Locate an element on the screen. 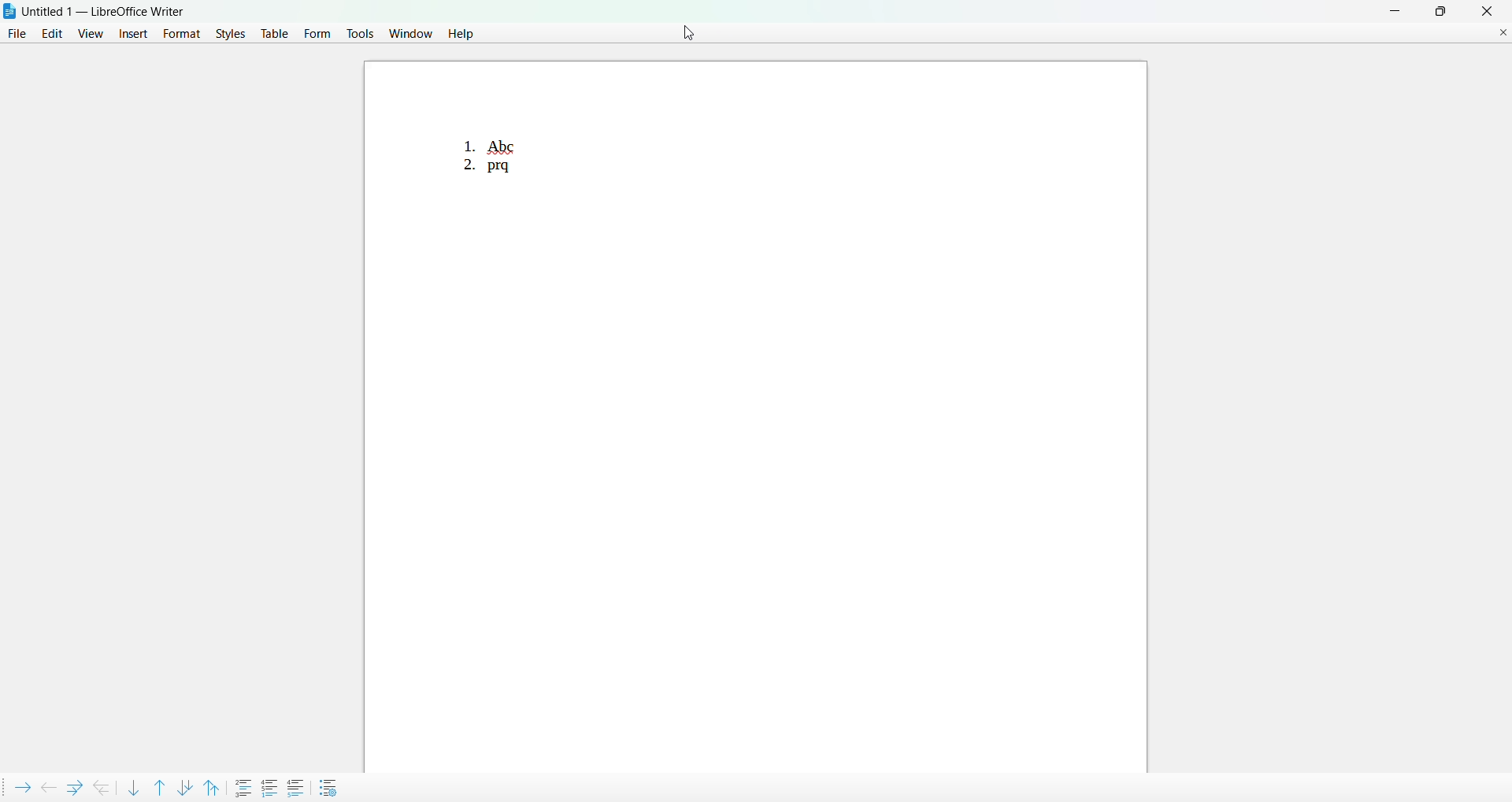 Image resolution: width=1512 pixels, height=802 pixels. cursor is located at coordinates (679, 33).